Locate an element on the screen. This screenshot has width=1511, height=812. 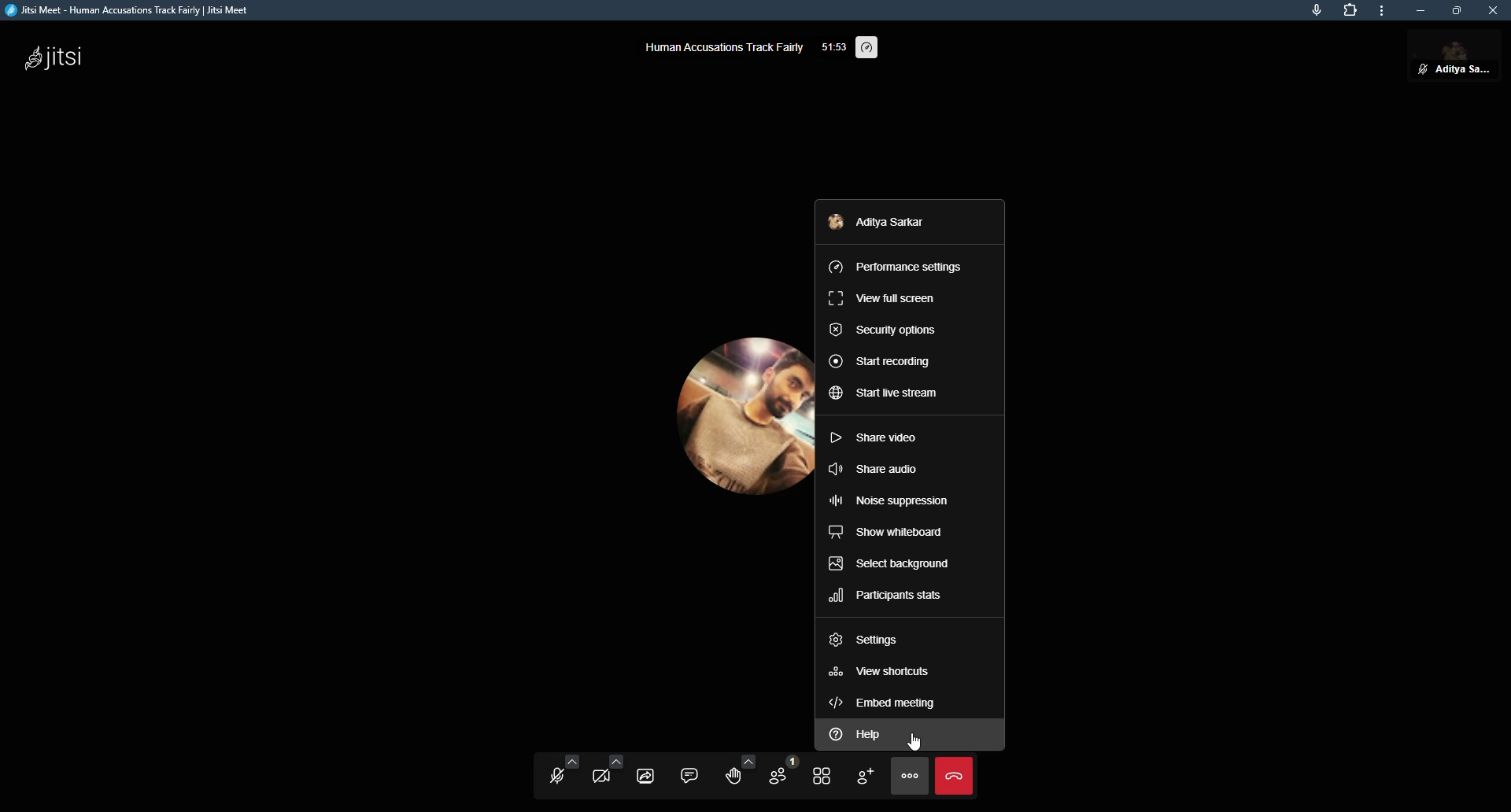
jitsi is located at coordinates (58, 57).